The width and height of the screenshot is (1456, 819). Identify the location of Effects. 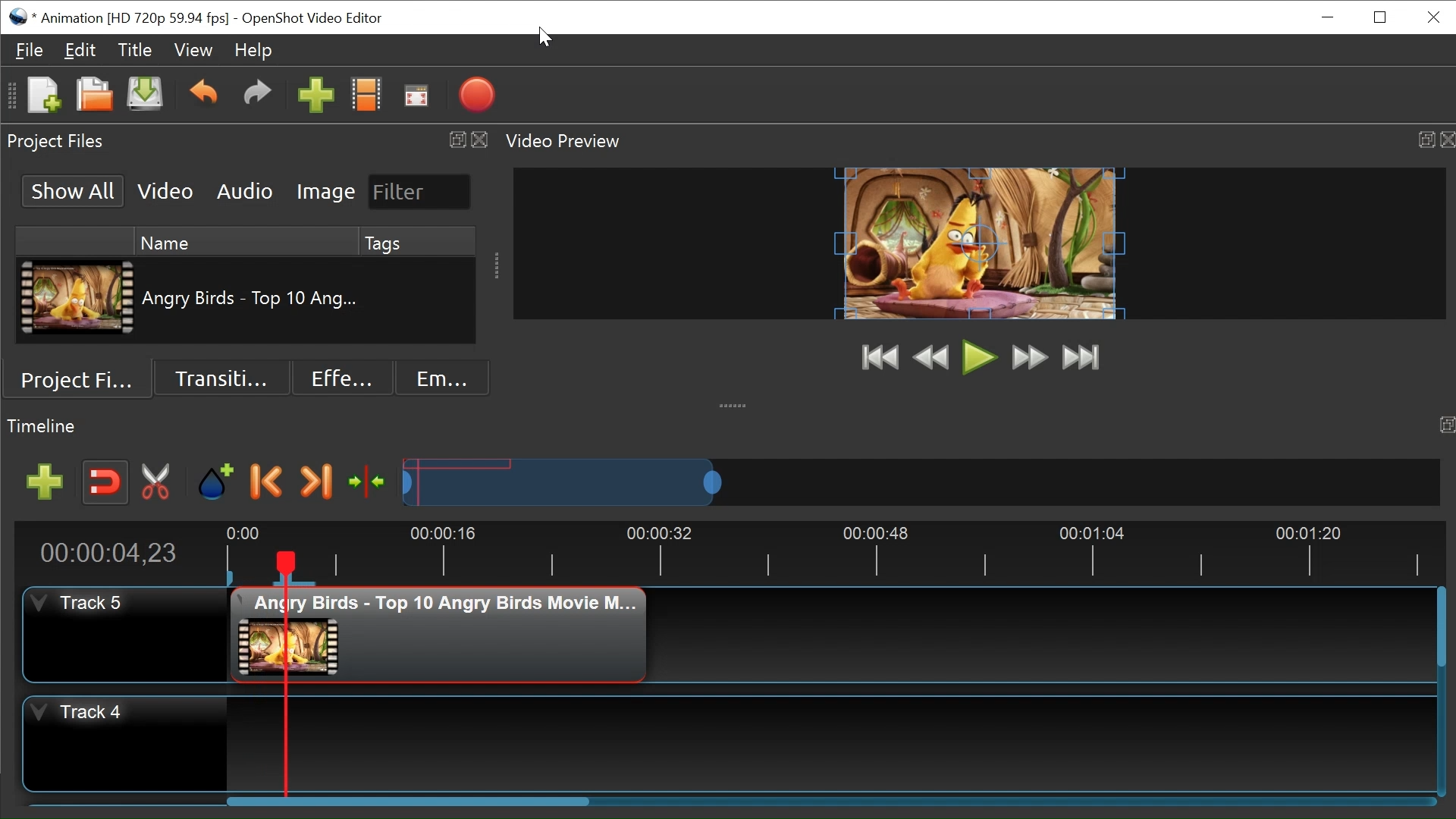
(342, 378).